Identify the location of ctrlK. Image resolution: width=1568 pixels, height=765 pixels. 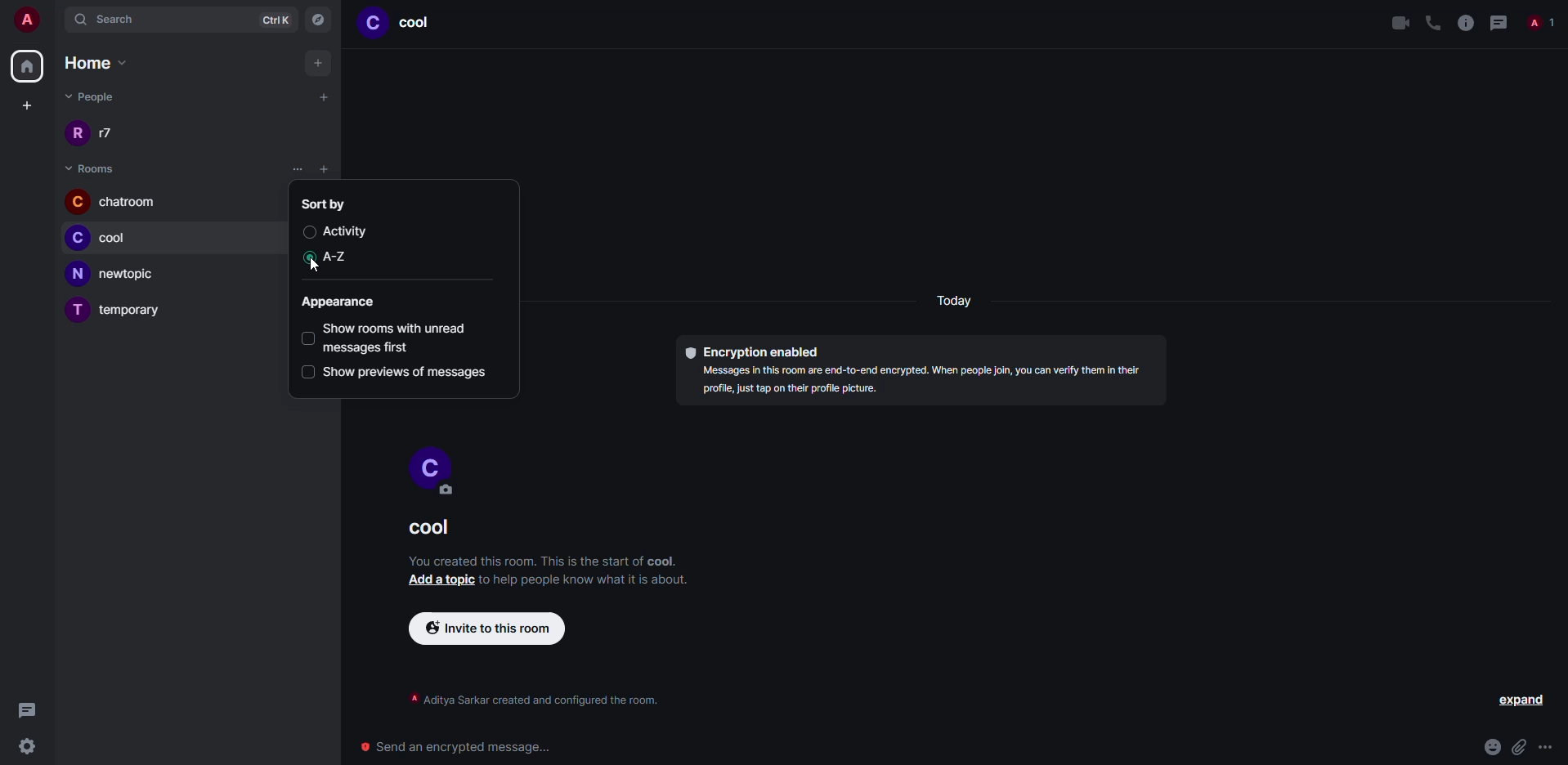
(271, 20).